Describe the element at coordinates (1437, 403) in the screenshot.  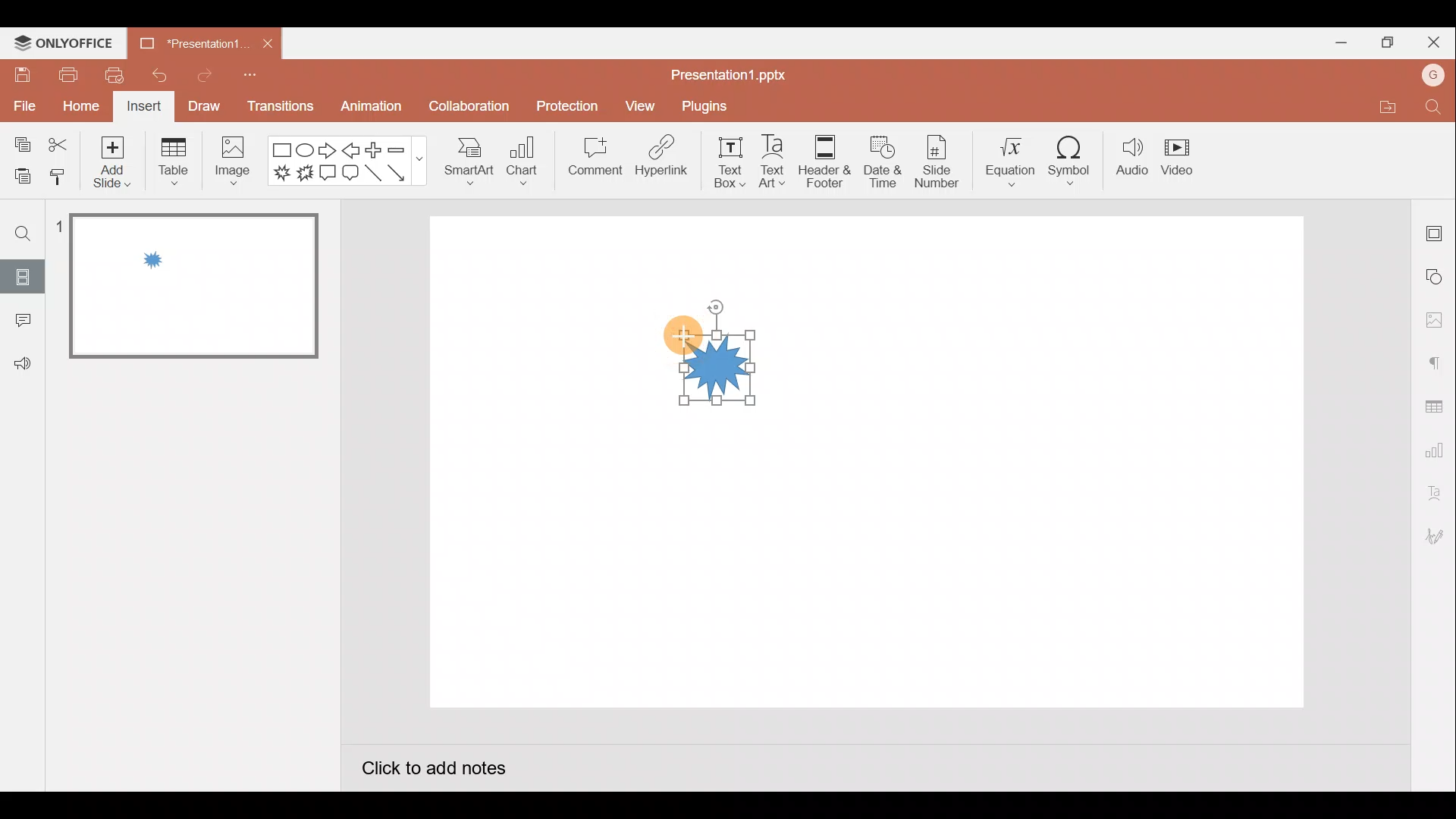
I see `Table settings` at that location.